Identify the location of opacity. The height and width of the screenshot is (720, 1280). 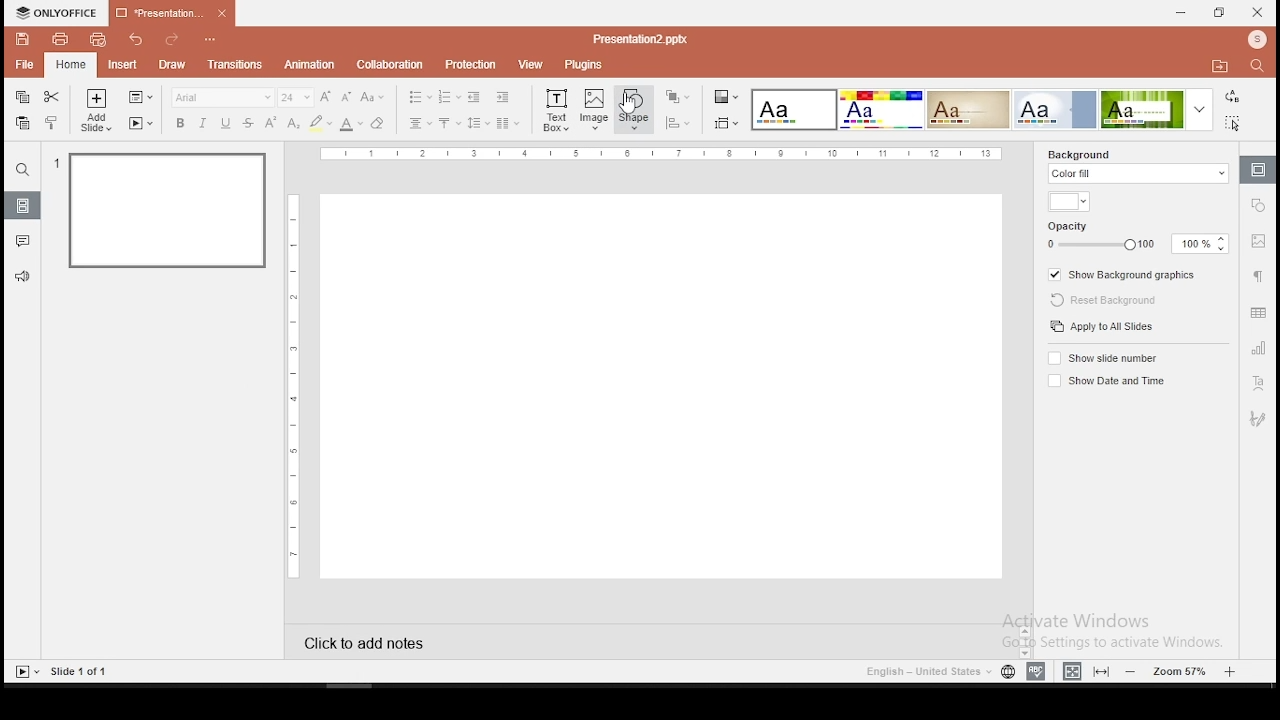
(1135, 236).